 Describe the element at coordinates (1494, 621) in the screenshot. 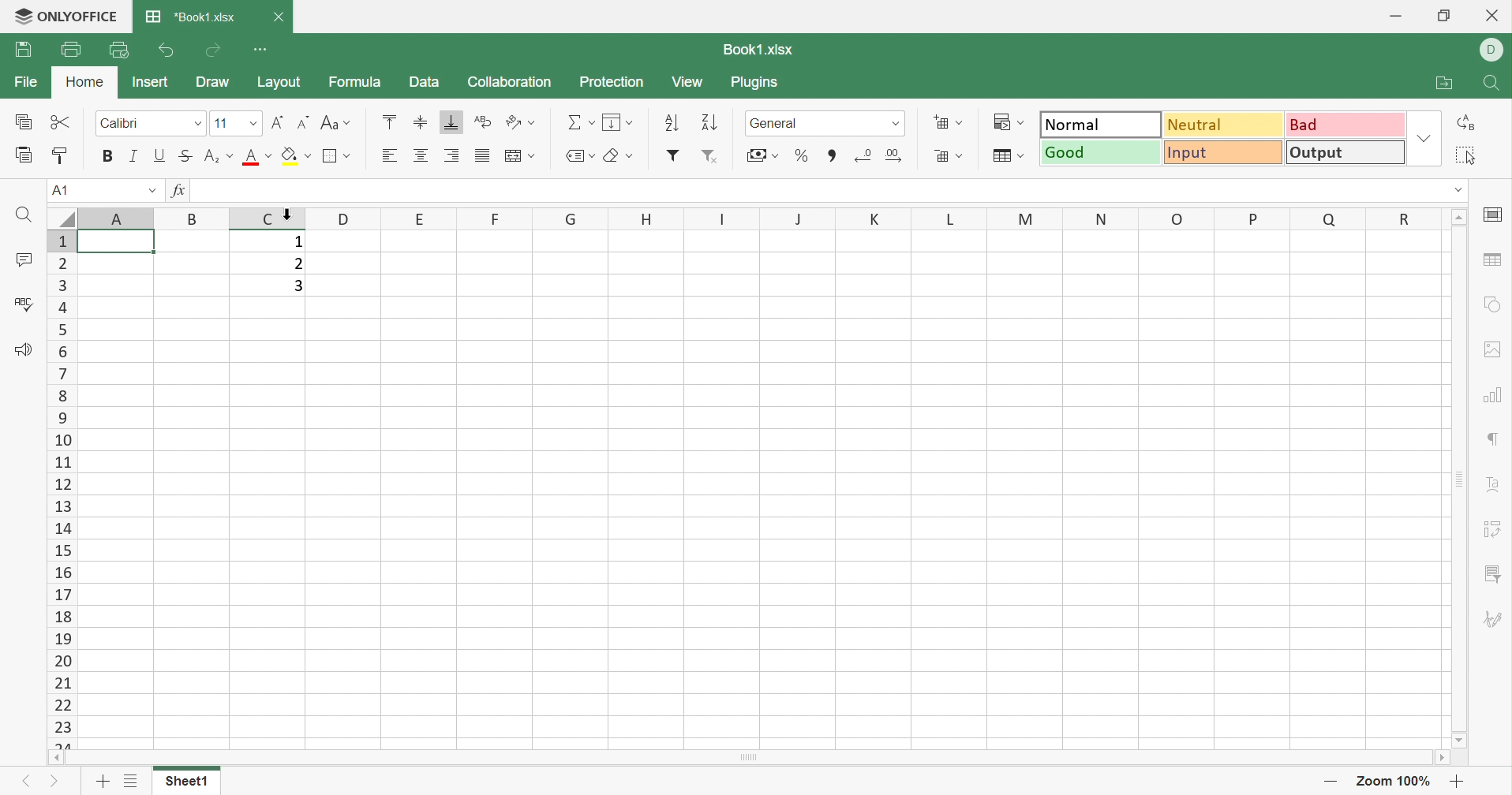

I see `Signature settings` at that location.